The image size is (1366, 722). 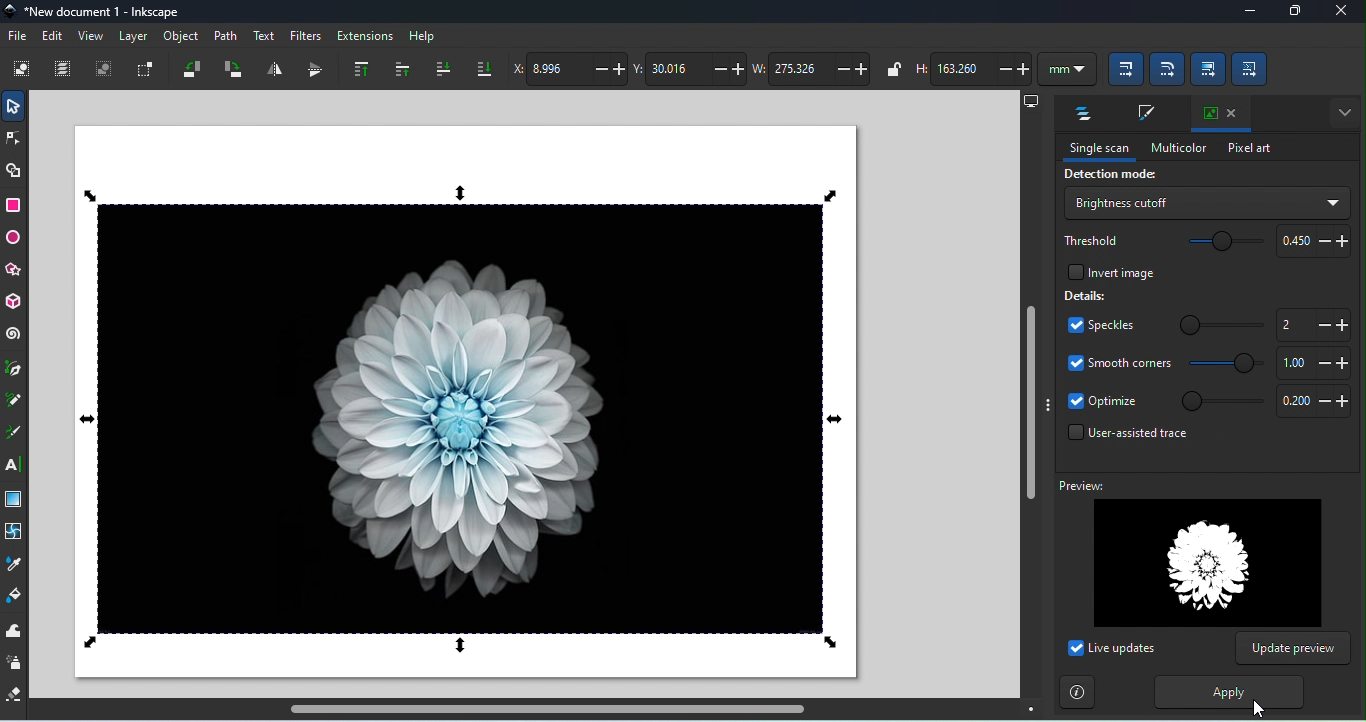 What do you see at coordinates (1252, 70) in the screenshot?
I see `Move patterns (in fill or stroke) along with the objects)` at bounding box center [1252, 70].